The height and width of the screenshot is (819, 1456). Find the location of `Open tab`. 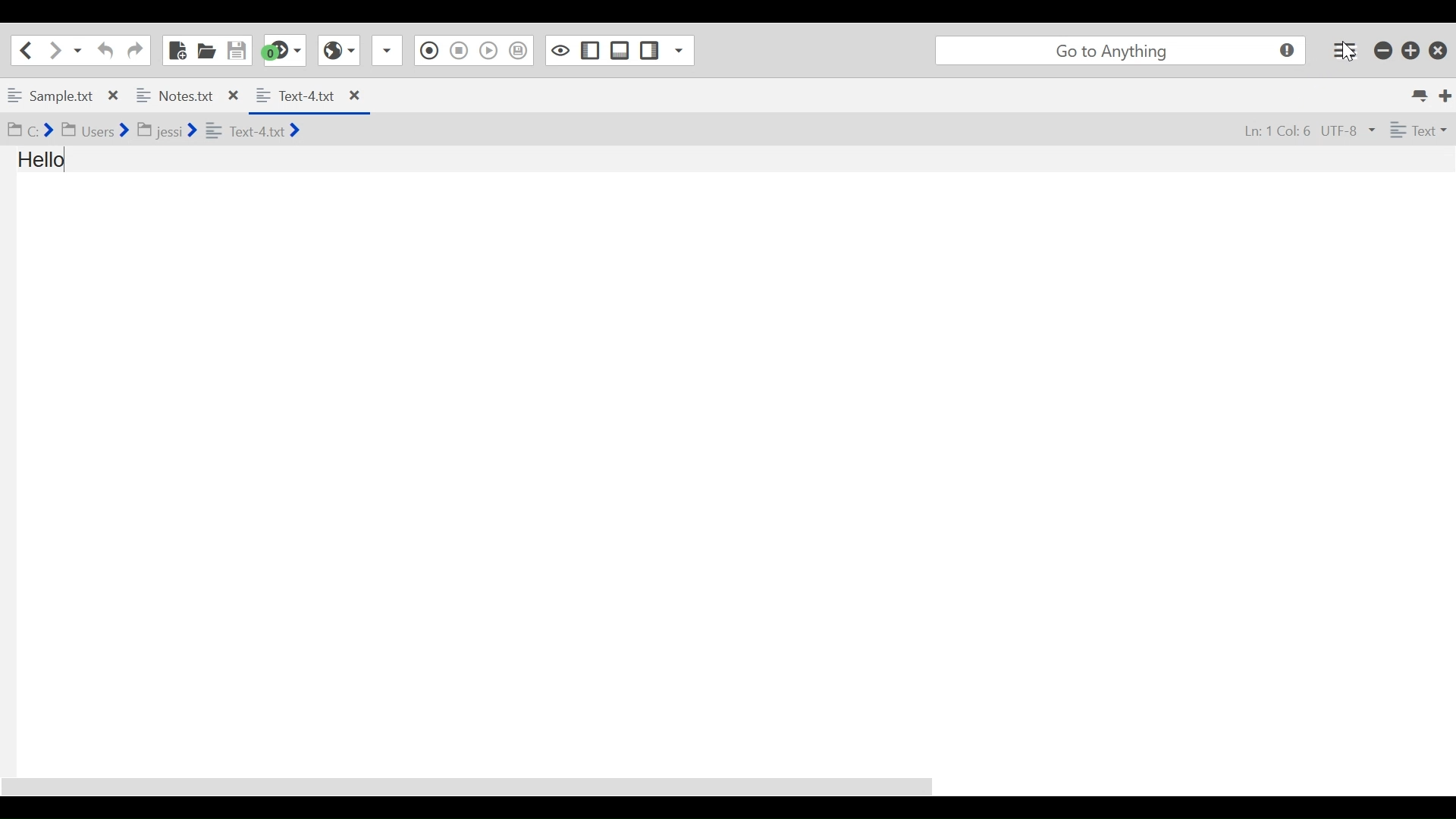

Open tab is located at coordinates (124, 97).